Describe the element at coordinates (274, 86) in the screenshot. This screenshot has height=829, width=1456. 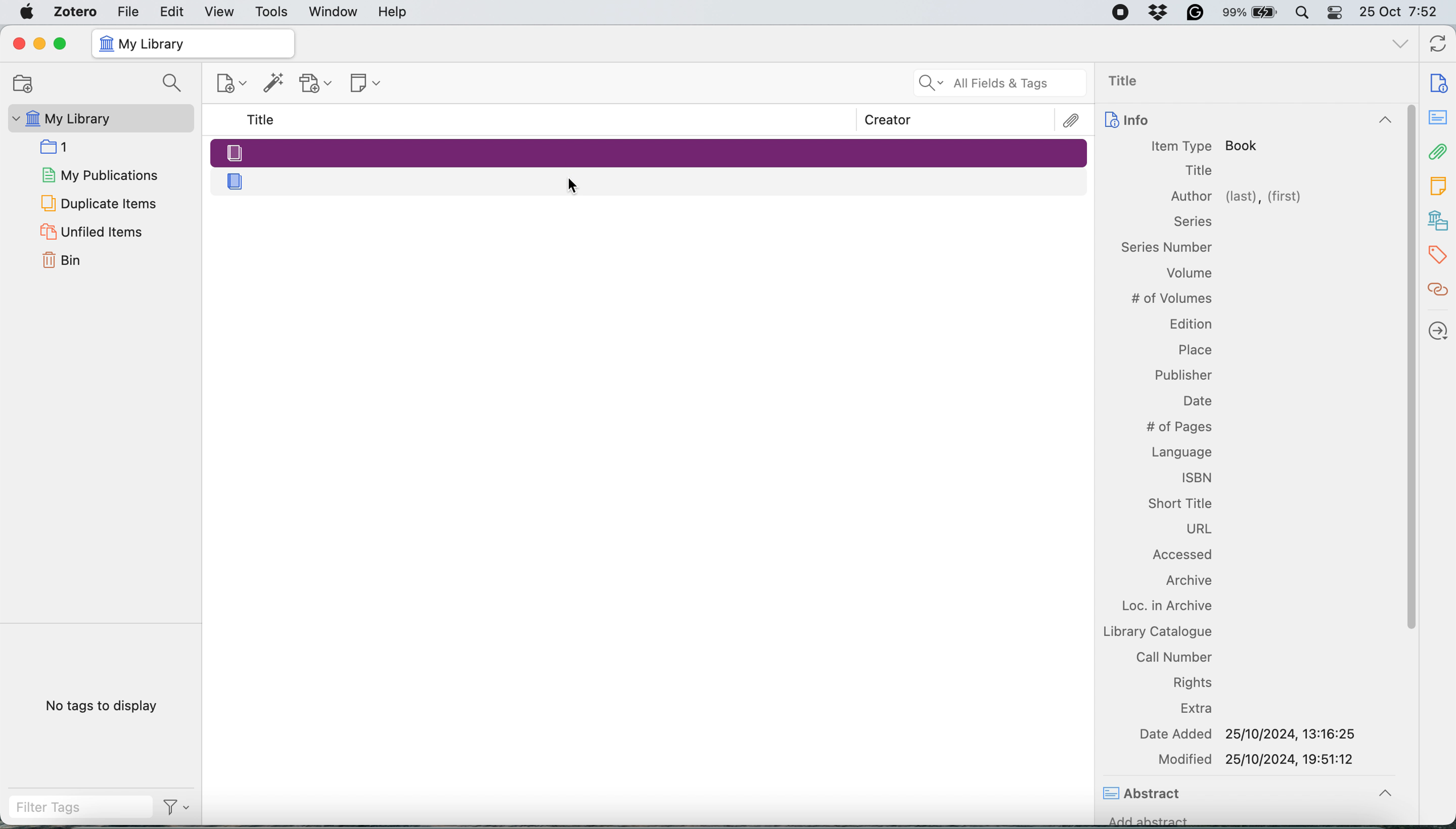
I see `Add Item` at that location.